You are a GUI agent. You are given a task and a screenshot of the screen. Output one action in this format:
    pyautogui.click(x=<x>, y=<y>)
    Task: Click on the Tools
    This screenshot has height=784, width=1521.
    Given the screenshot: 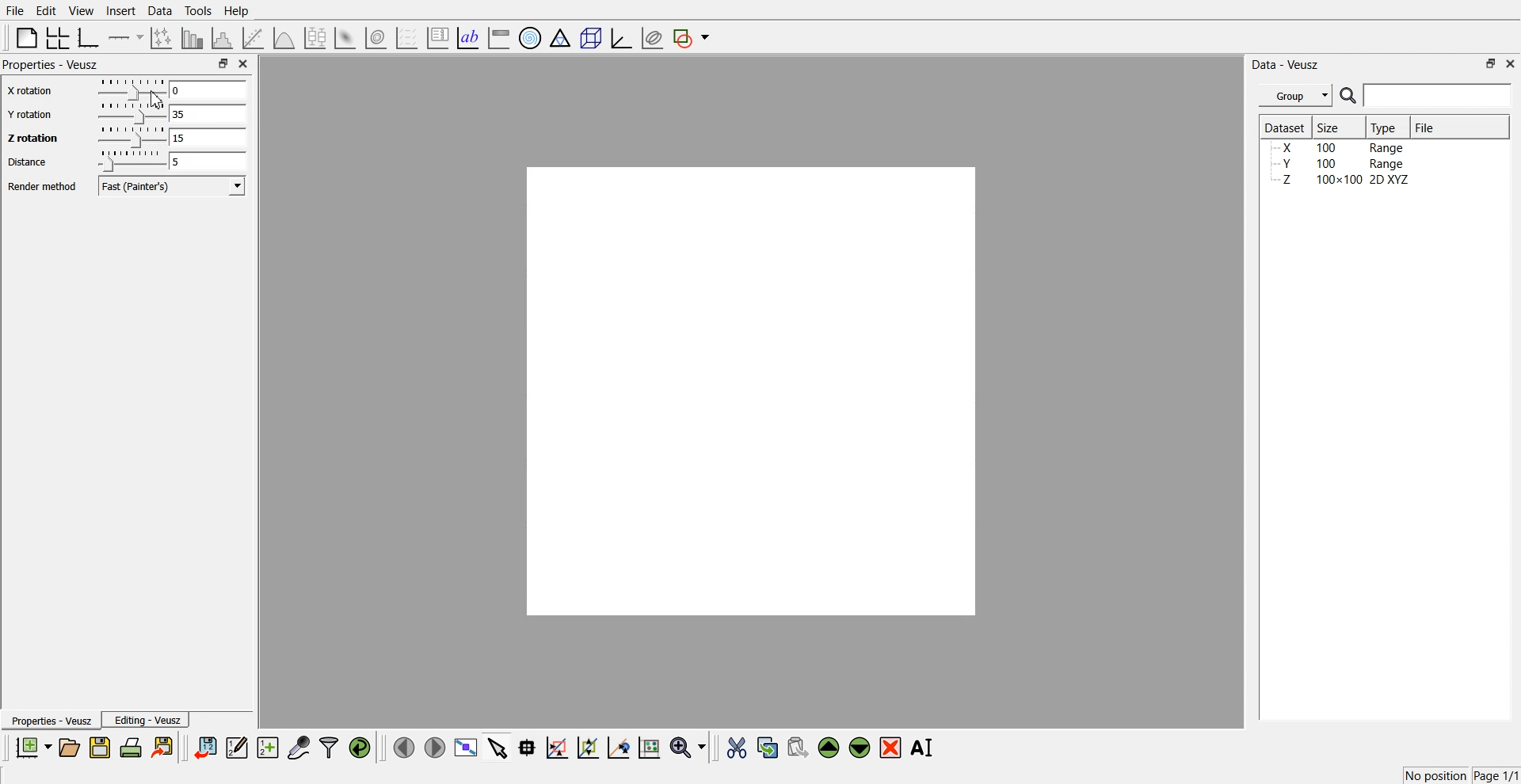 What is the action you would take?
    pyautogui.click(x=199, y=11)
    